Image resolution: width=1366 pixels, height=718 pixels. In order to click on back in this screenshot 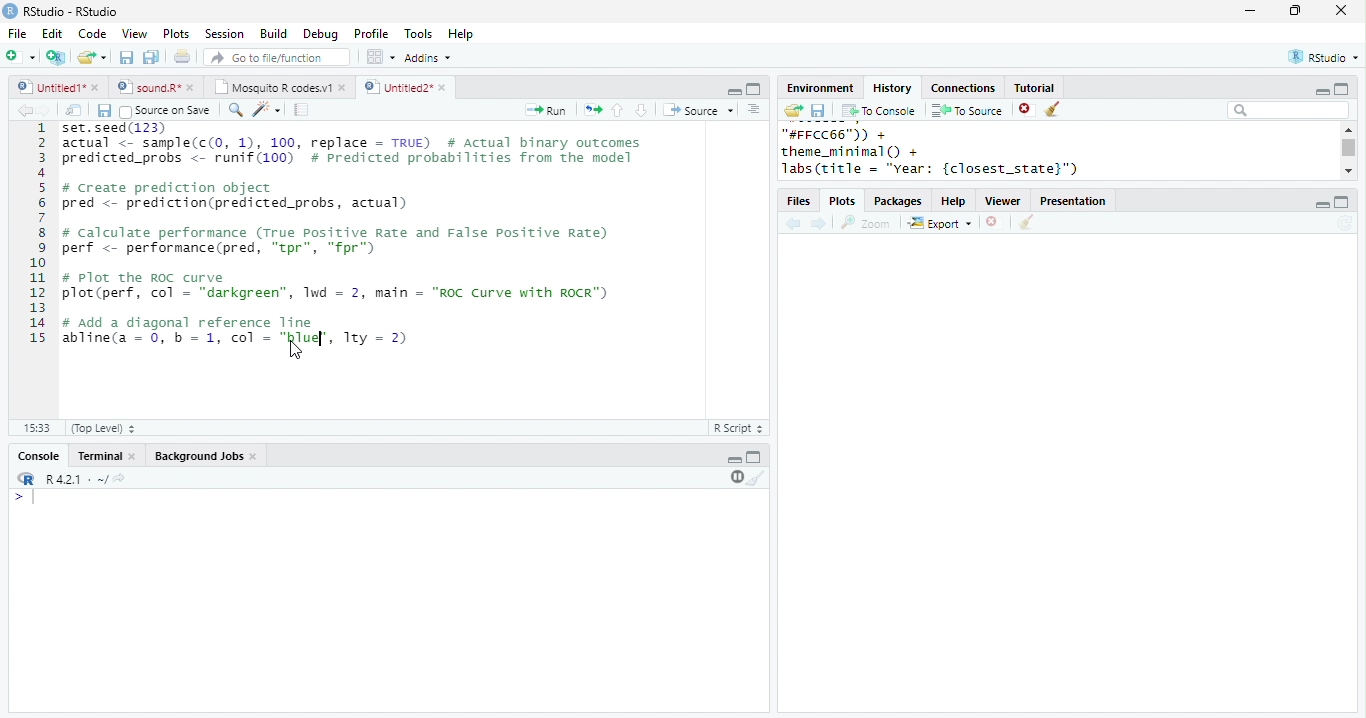, I will do `click(793, 225)`.